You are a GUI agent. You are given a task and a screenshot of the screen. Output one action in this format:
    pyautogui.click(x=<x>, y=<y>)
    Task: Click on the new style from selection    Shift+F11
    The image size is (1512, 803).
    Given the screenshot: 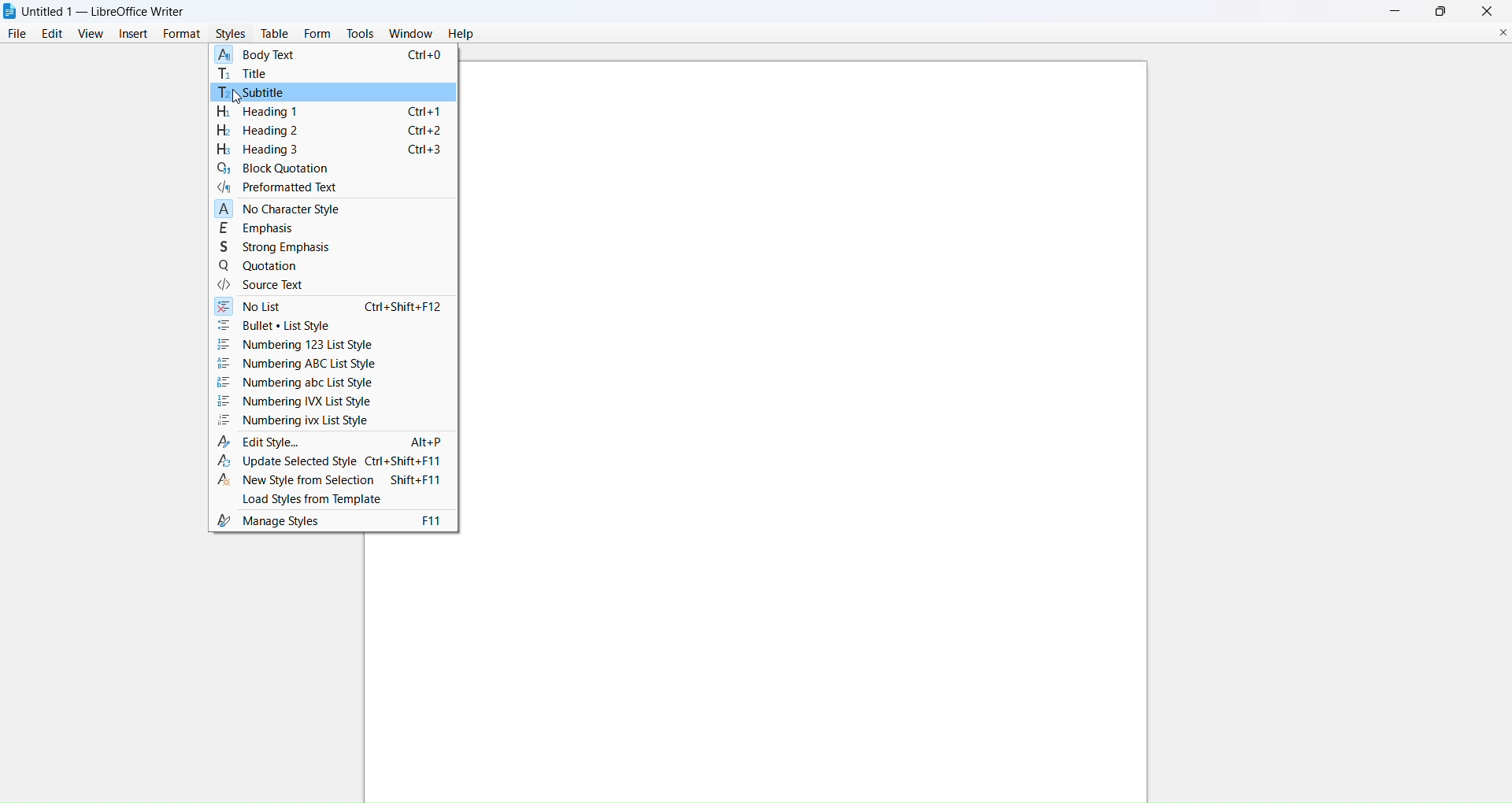 What is the action you would take?
    pyautogui.click(x=331, y=481)
    